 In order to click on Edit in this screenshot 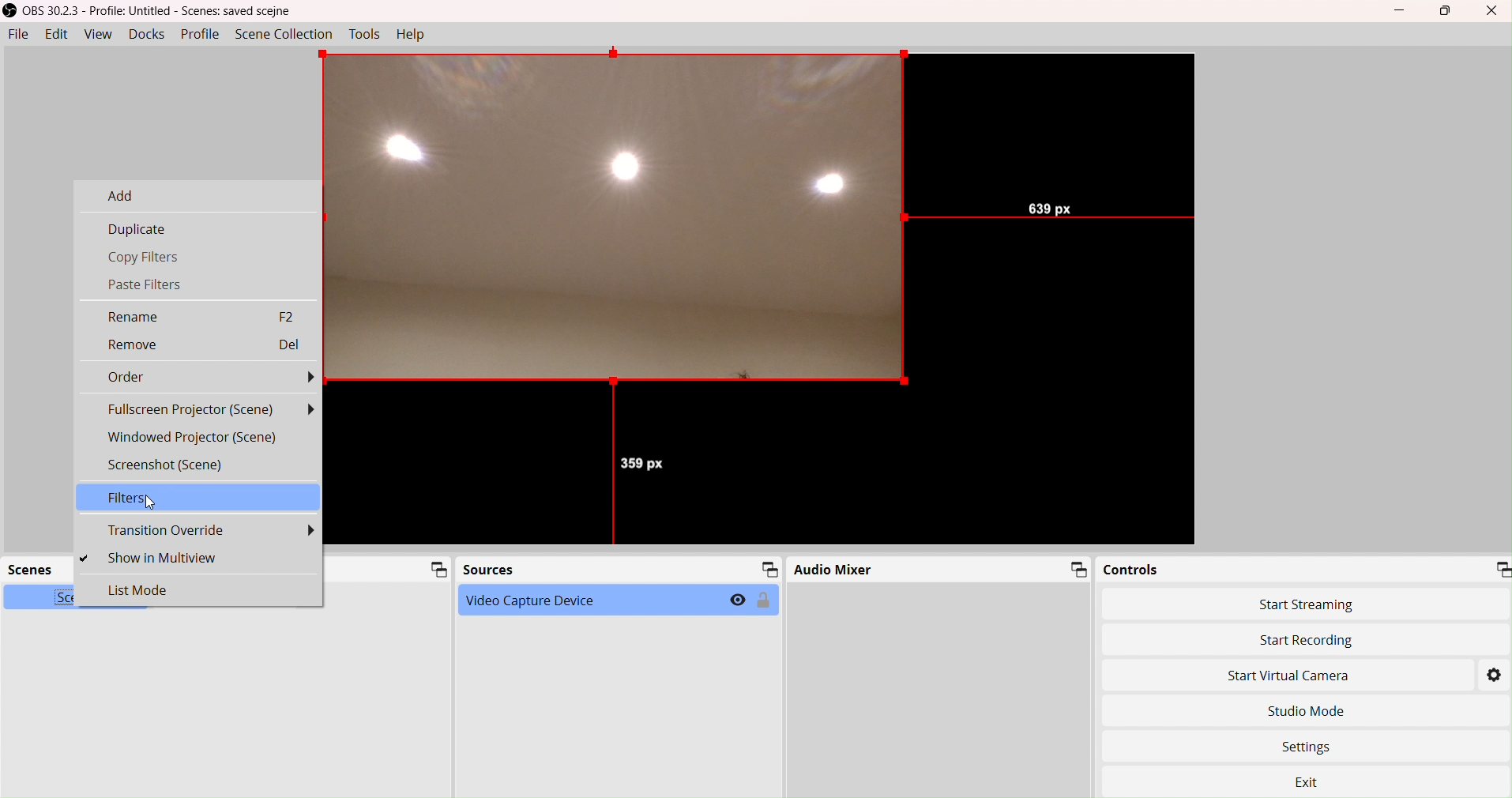, I will do `click(56, 35)`.